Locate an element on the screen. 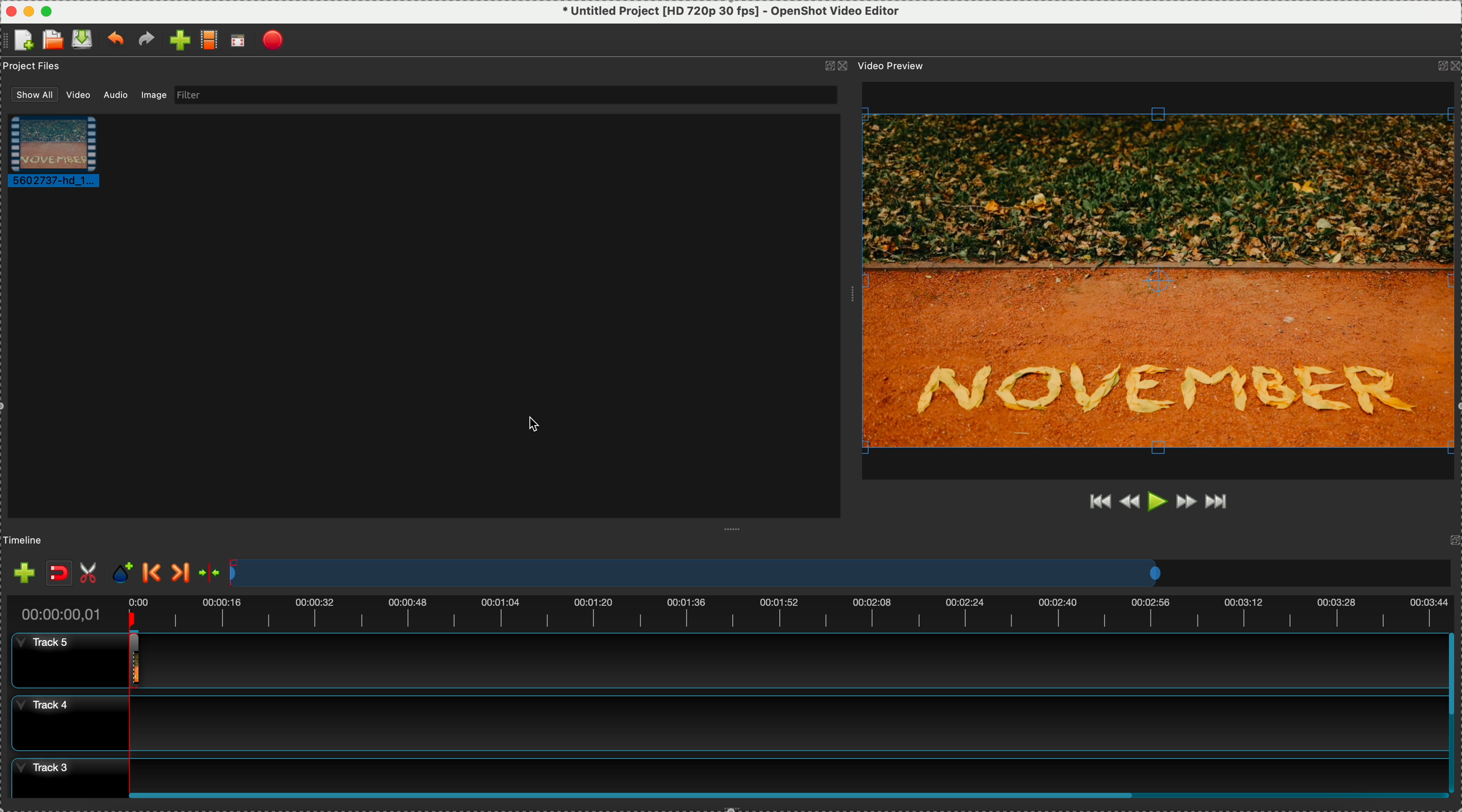  previous marker is located at coordinates (152, 573).